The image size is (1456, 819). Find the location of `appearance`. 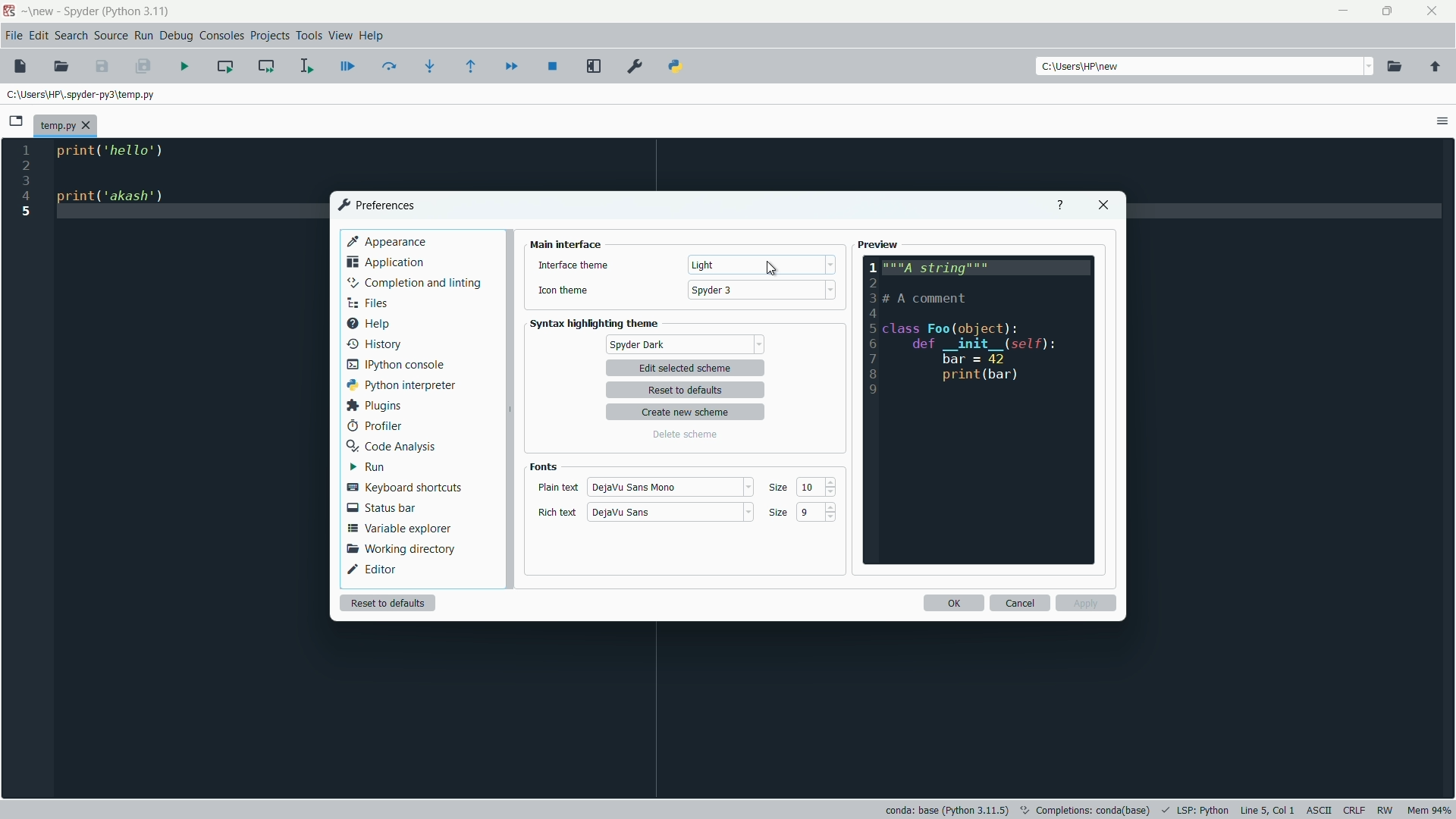

appearance is located at coordinates (388, 240).